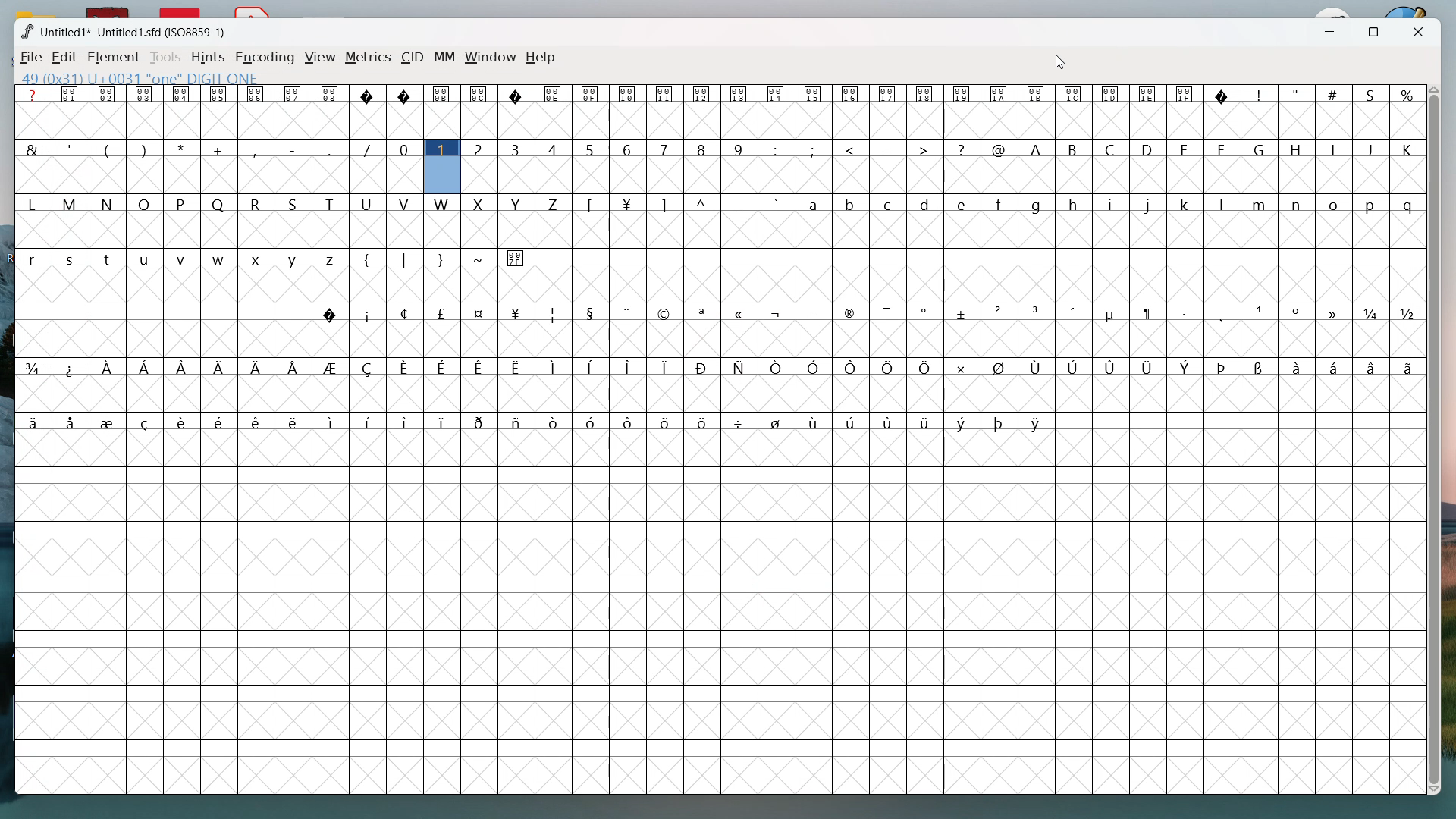 This screenshot has width=1456, height=819. Describe the element at coordinates (1075, 149) in the screenshot. I see `B` at that location.